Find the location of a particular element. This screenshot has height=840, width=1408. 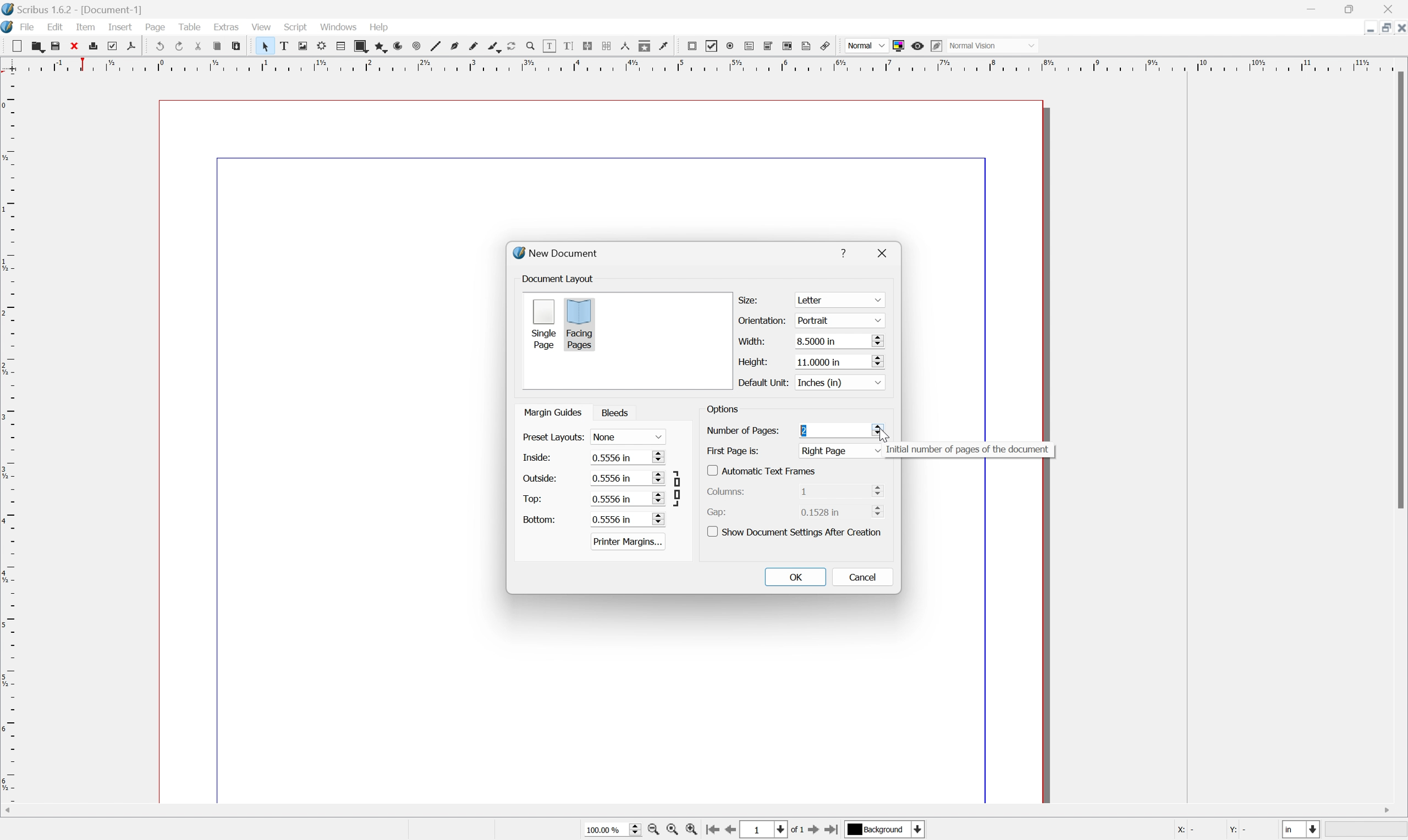

Script is located at coordinates (296, 28).